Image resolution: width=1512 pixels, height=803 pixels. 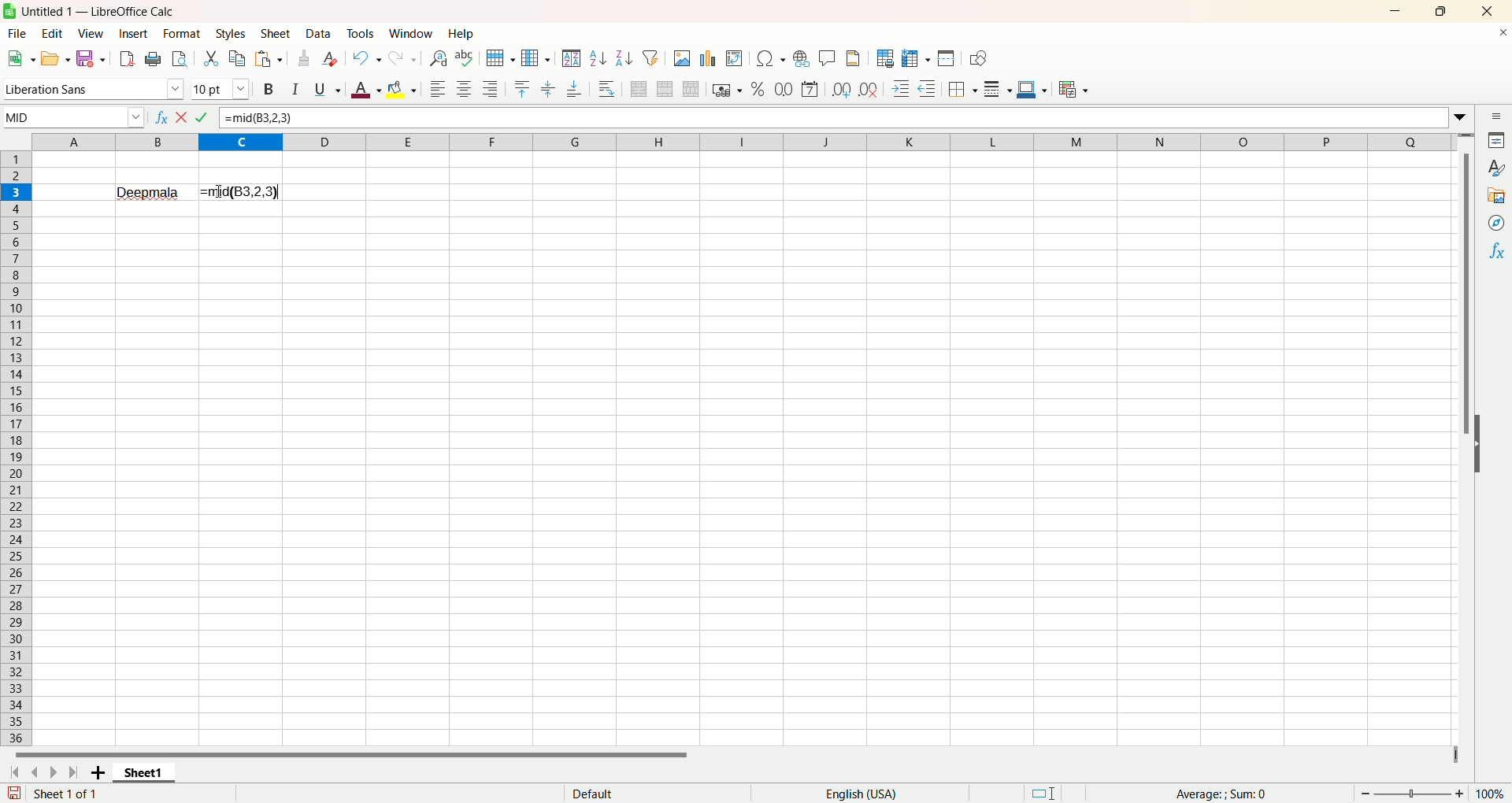 I want to click on File, so click(x=17, y=33).